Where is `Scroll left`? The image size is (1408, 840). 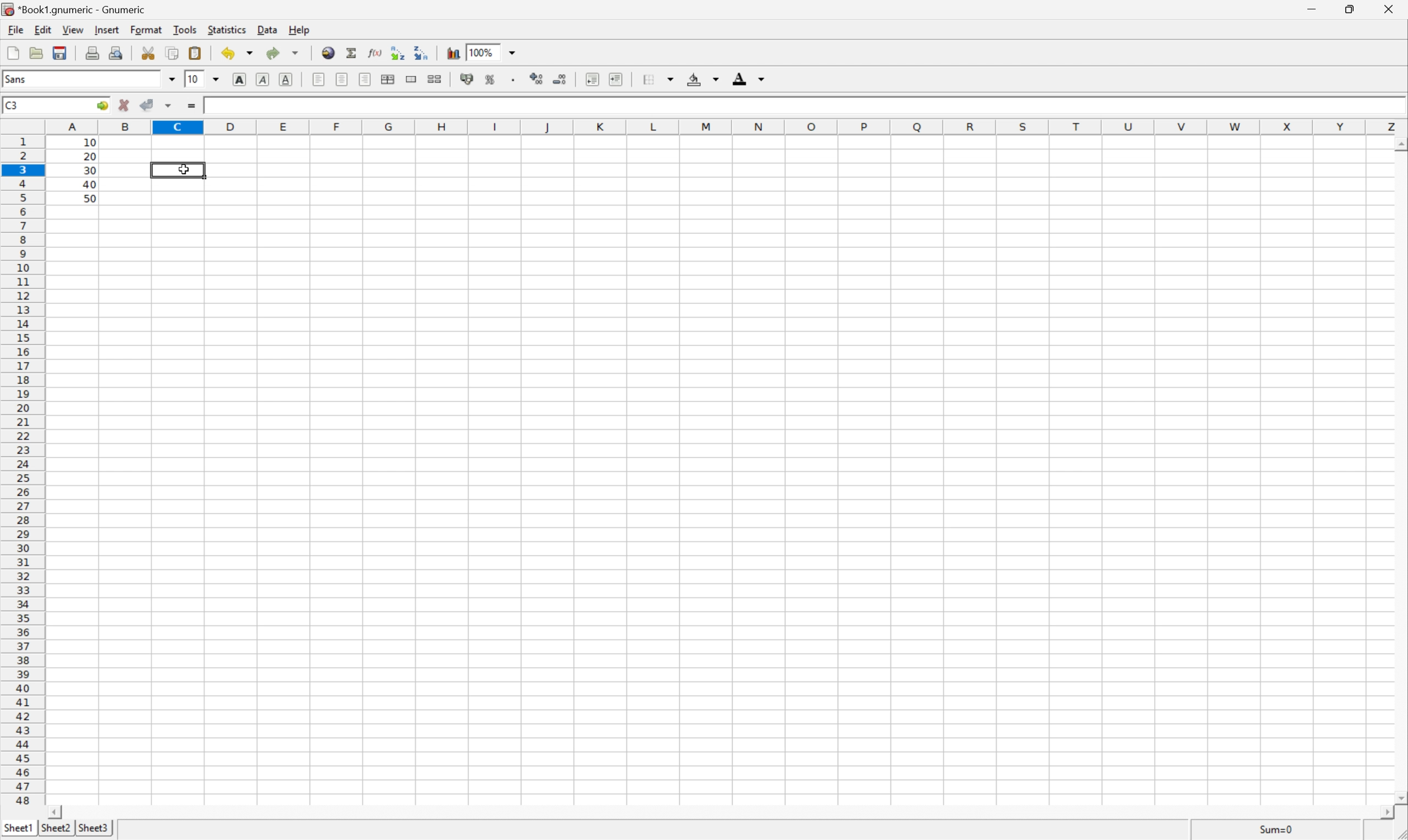 Scroll left is located at coordinates (58, 812).